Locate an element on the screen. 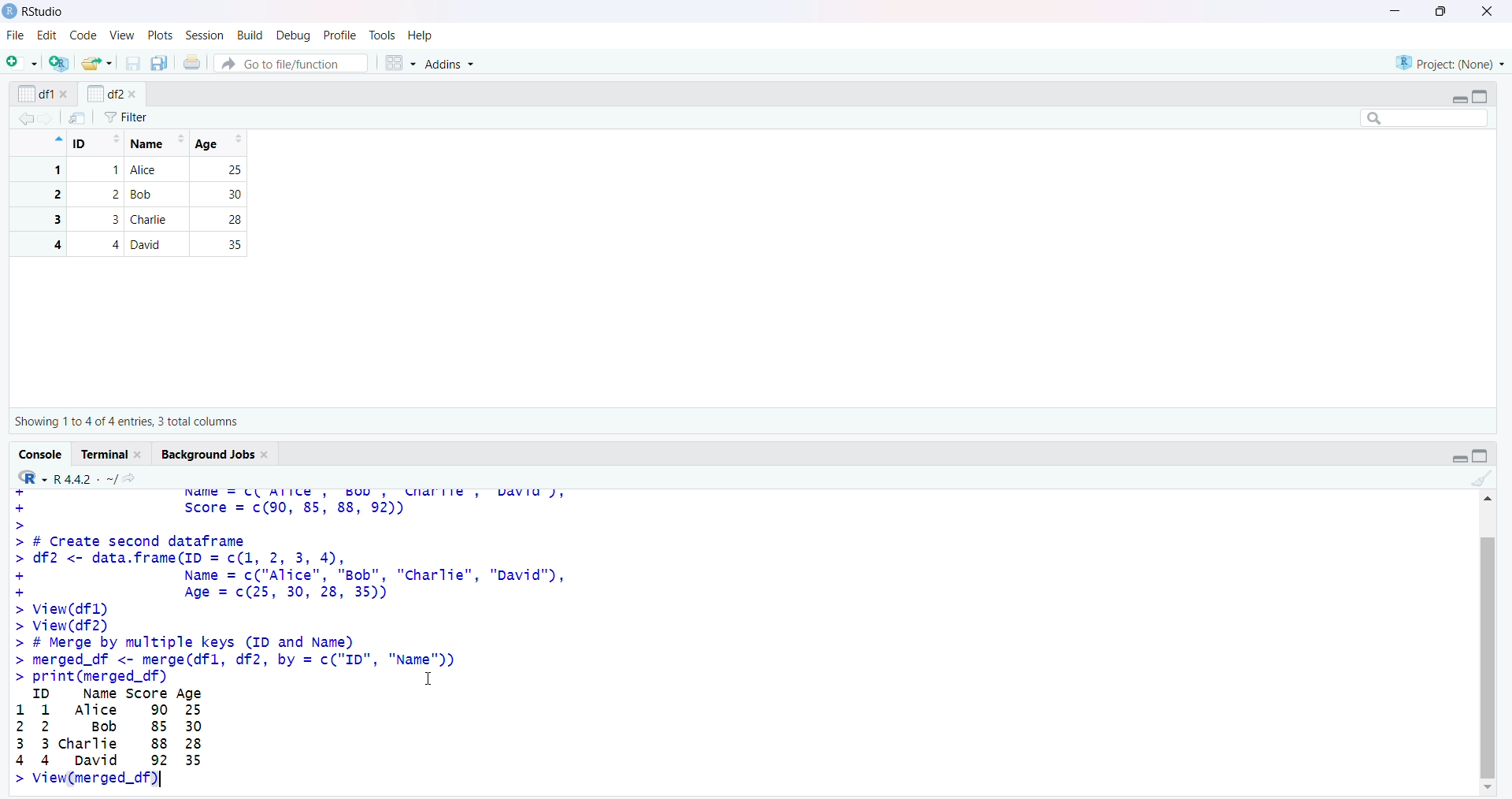 The height and width of the screenshot is (799, 1512). 4 4 David 35 is located at coordinates (135, 244).